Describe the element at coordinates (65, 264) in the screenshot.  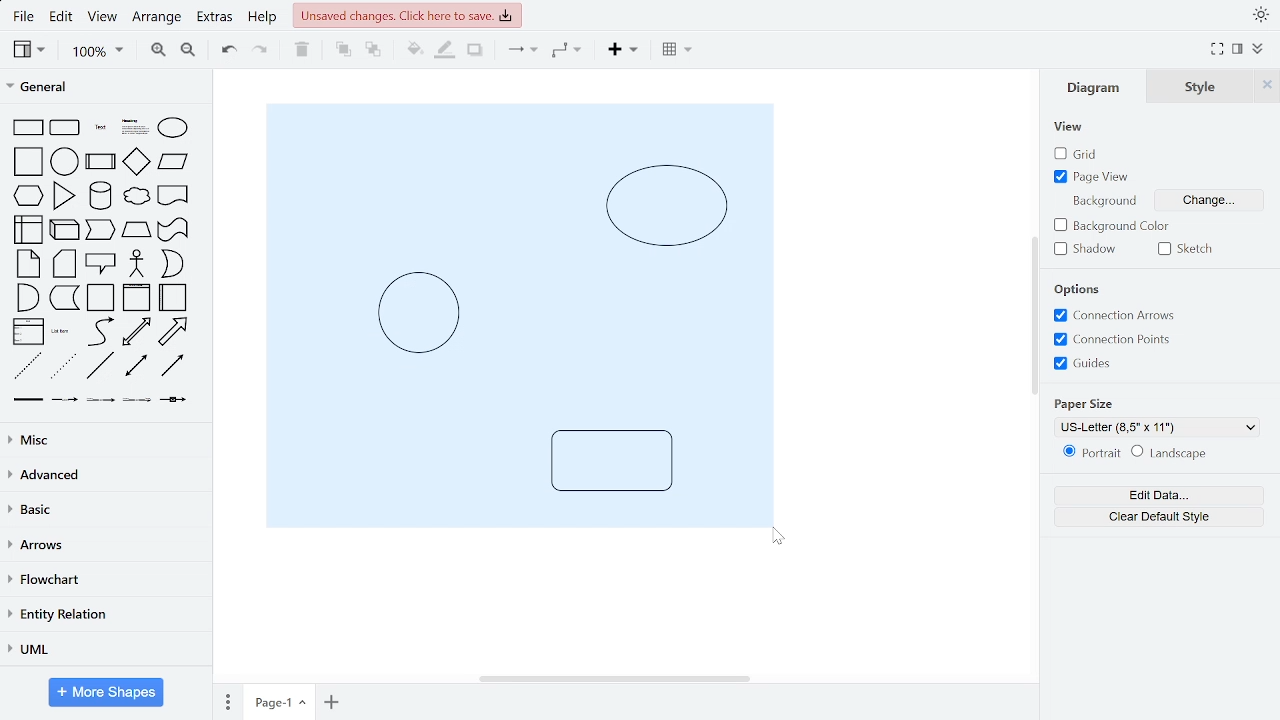
I see `card` at that location.